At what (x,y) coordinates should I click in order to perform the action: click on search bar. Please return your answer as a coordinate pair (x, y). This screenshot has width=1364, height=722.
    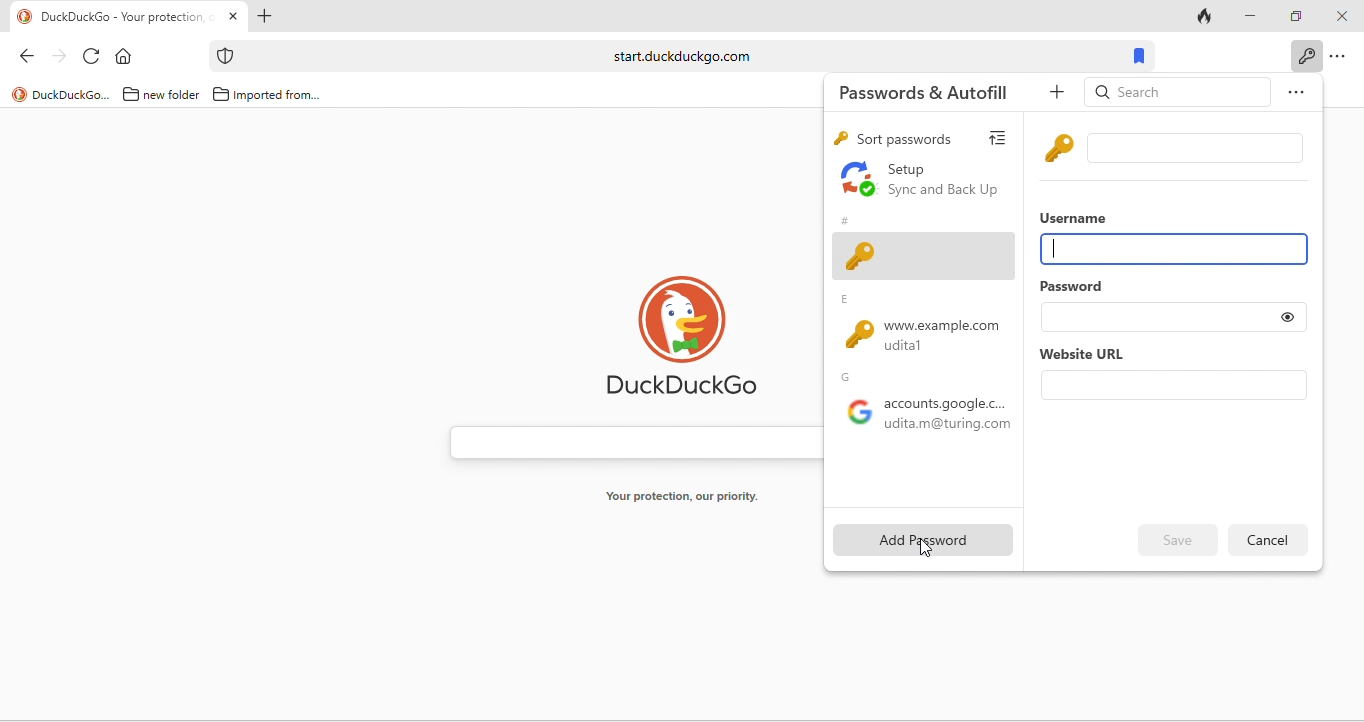
    Looking at the image, I should click on (626, 438).